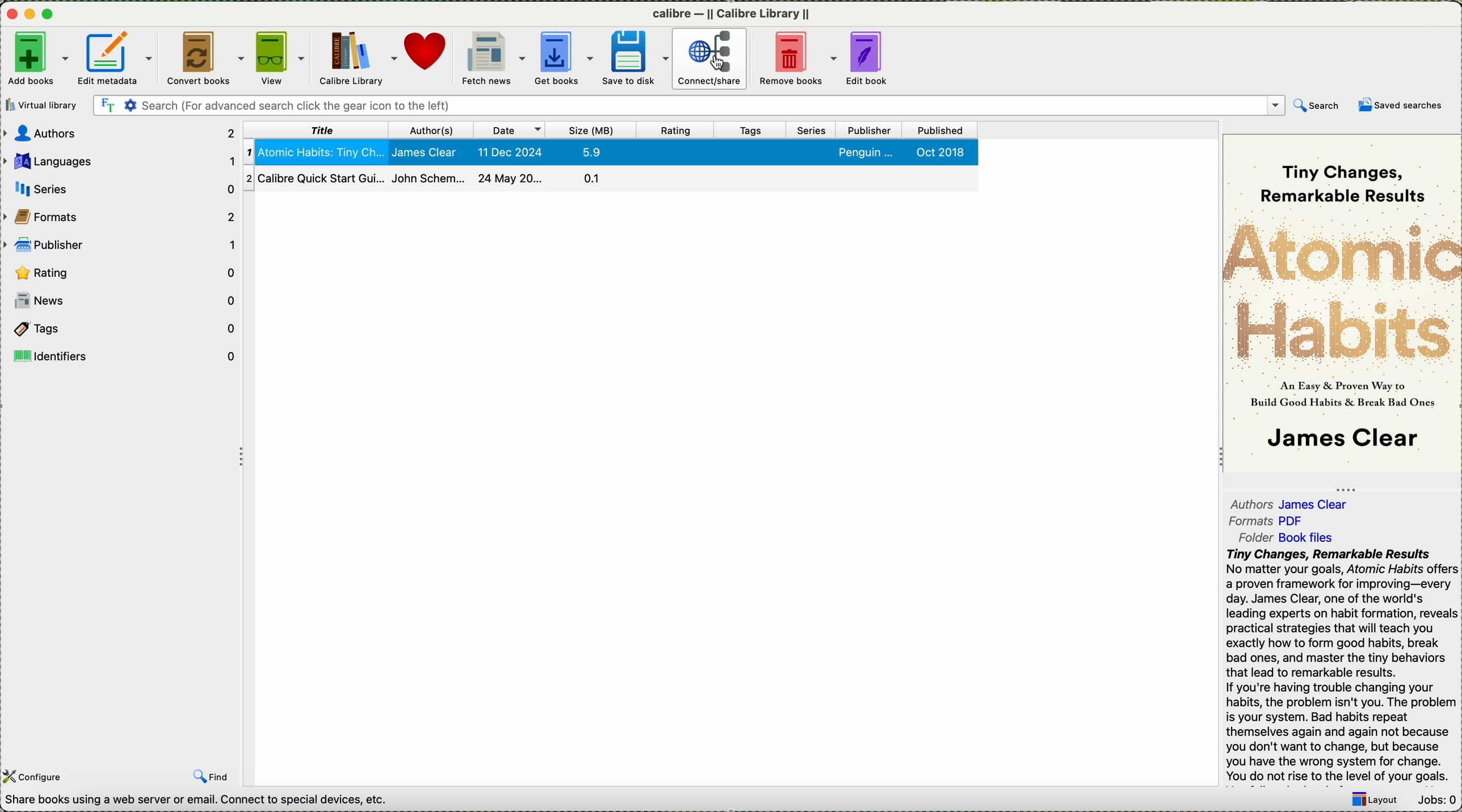  What do you see at coordinates (1342, 665) in the screenshot?
I see `summary` at bounding box center [1342, 665].